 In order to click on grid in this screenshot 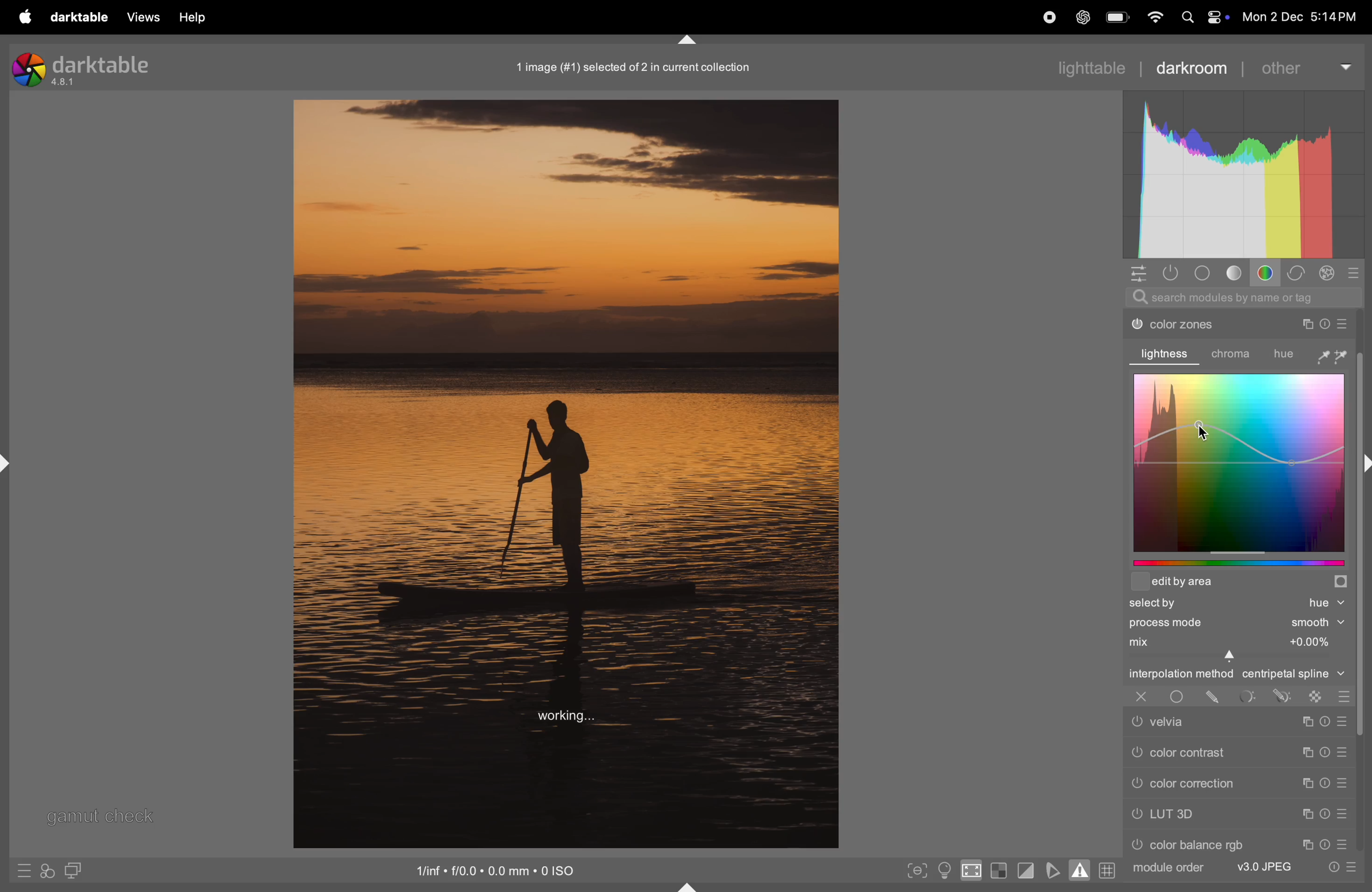, I will do `click(1110, 870)`.